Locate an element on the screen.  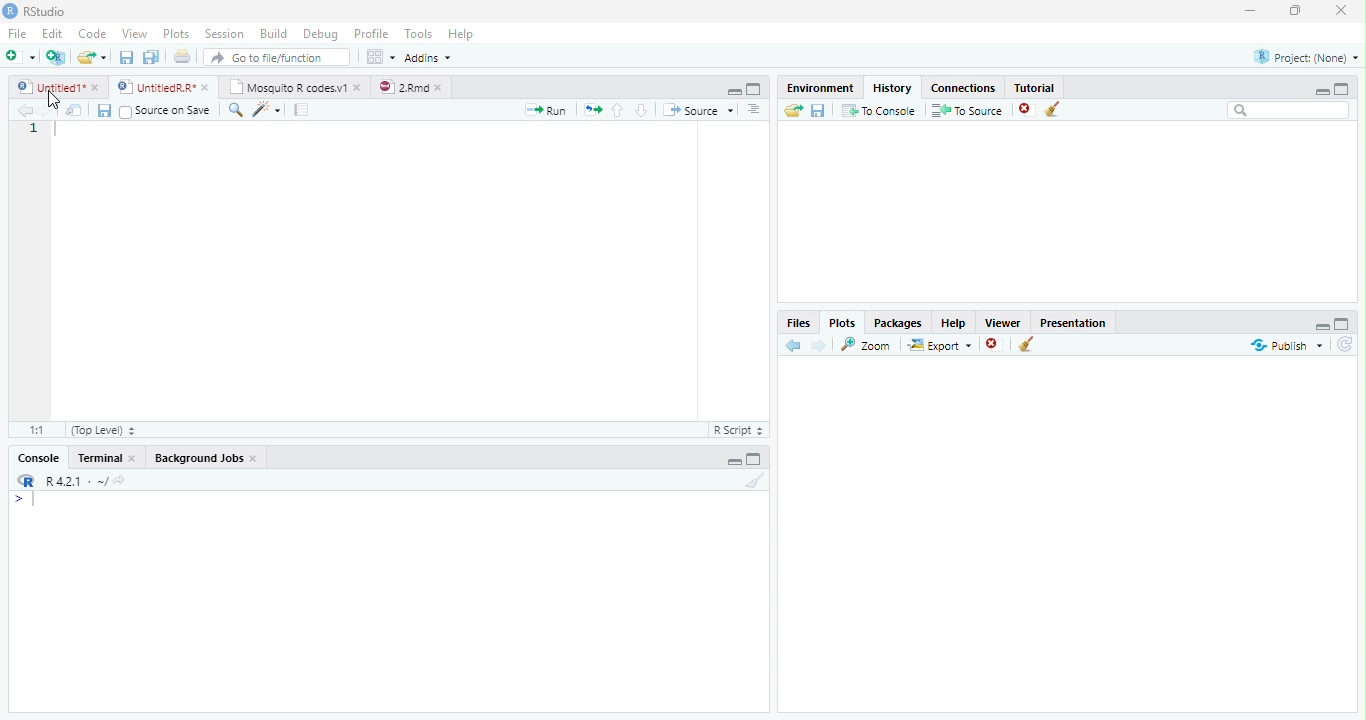
Help is located at coordinates (954, 322).